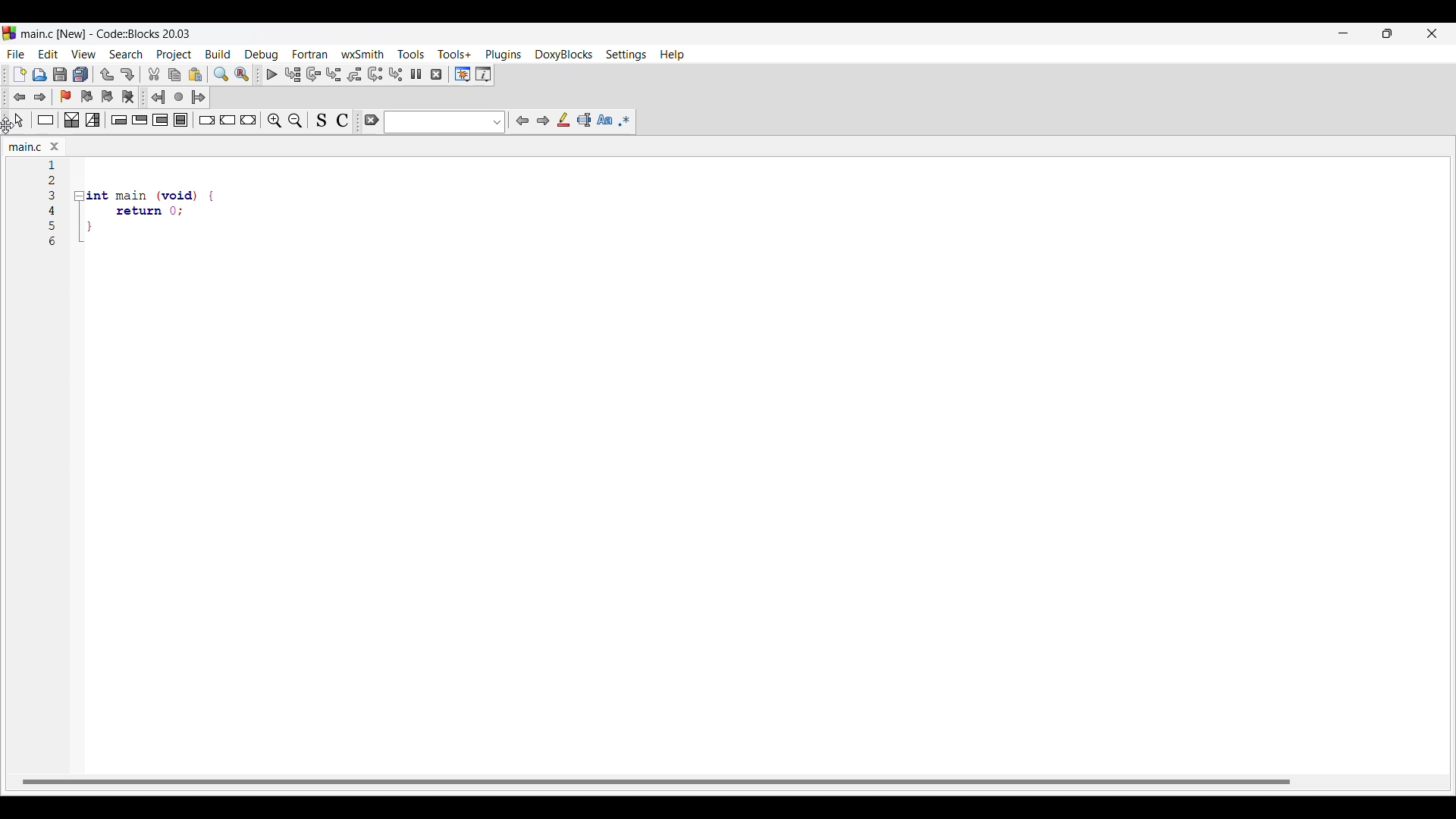 The width and height of the screenshot is (1456, 819). I want to click on Use regex, so click(625, 121).